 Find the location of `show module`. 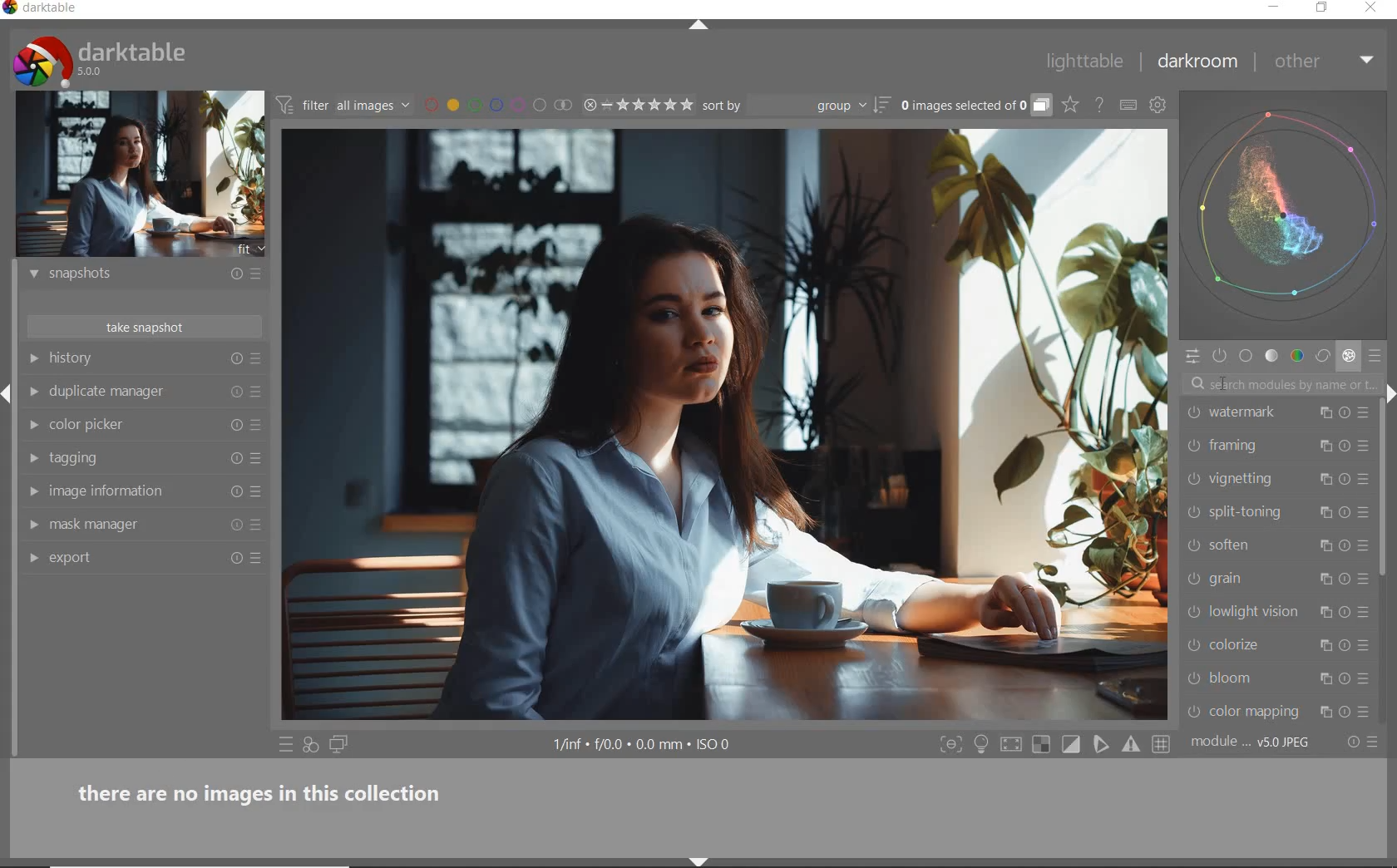

show module is located at coordinates (32, 274).